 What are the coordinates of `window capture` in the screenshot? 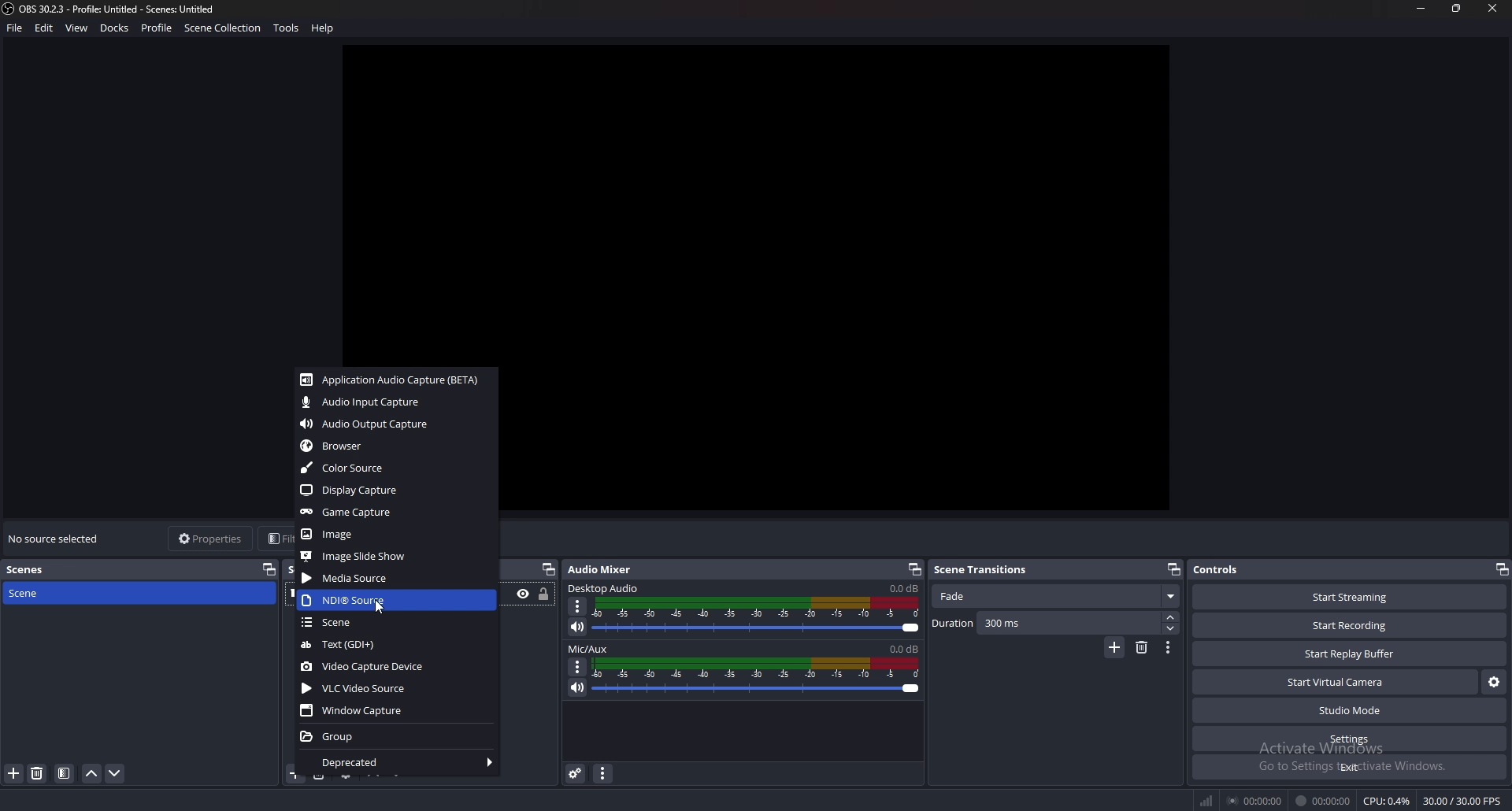 It's located at (396, 709).